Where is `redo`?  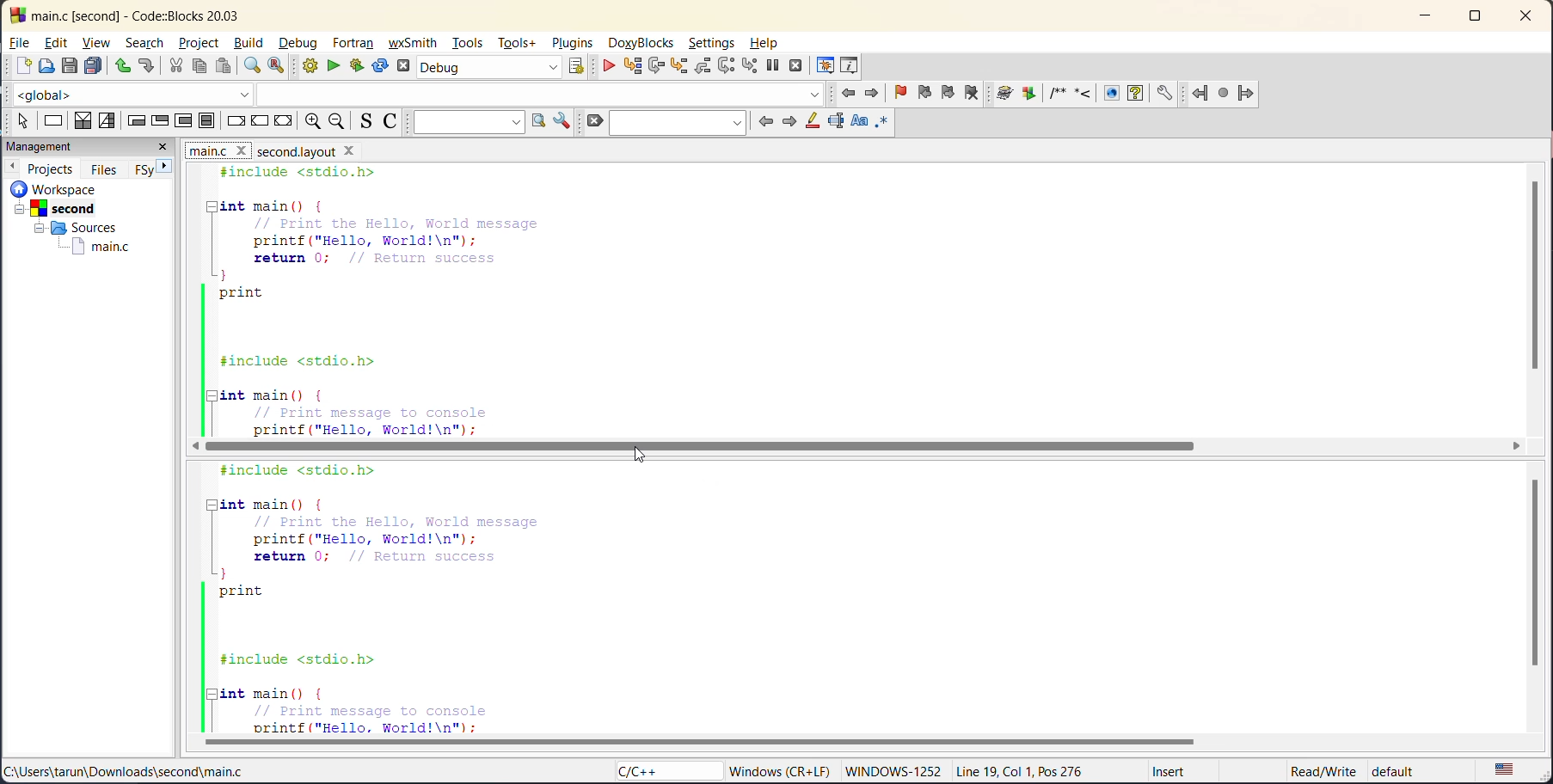 redo is located at coordinates (147, 65).